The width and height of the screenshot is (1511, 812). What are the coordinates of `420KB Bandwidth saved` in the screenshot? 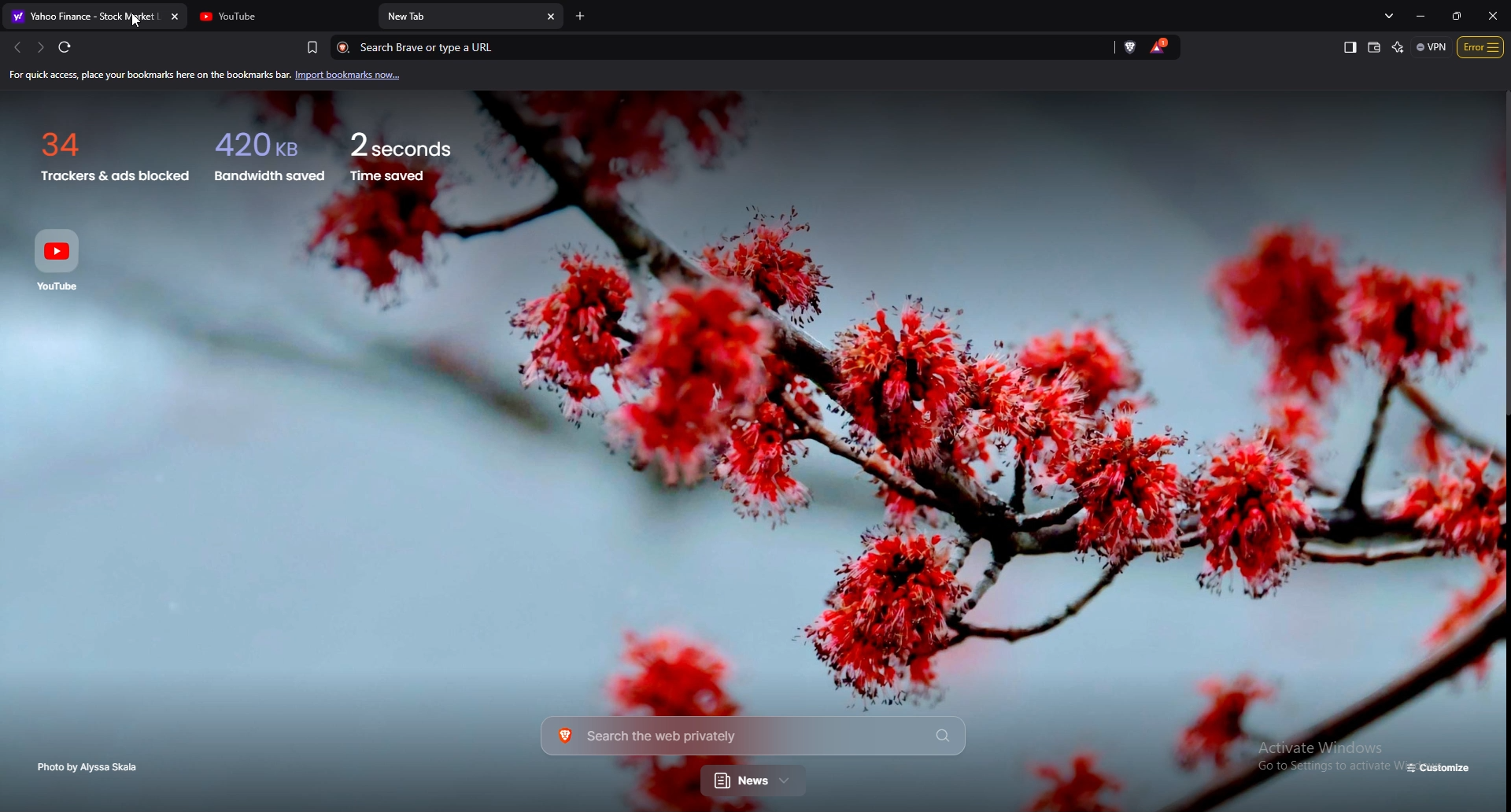 It's located at (267, 152).